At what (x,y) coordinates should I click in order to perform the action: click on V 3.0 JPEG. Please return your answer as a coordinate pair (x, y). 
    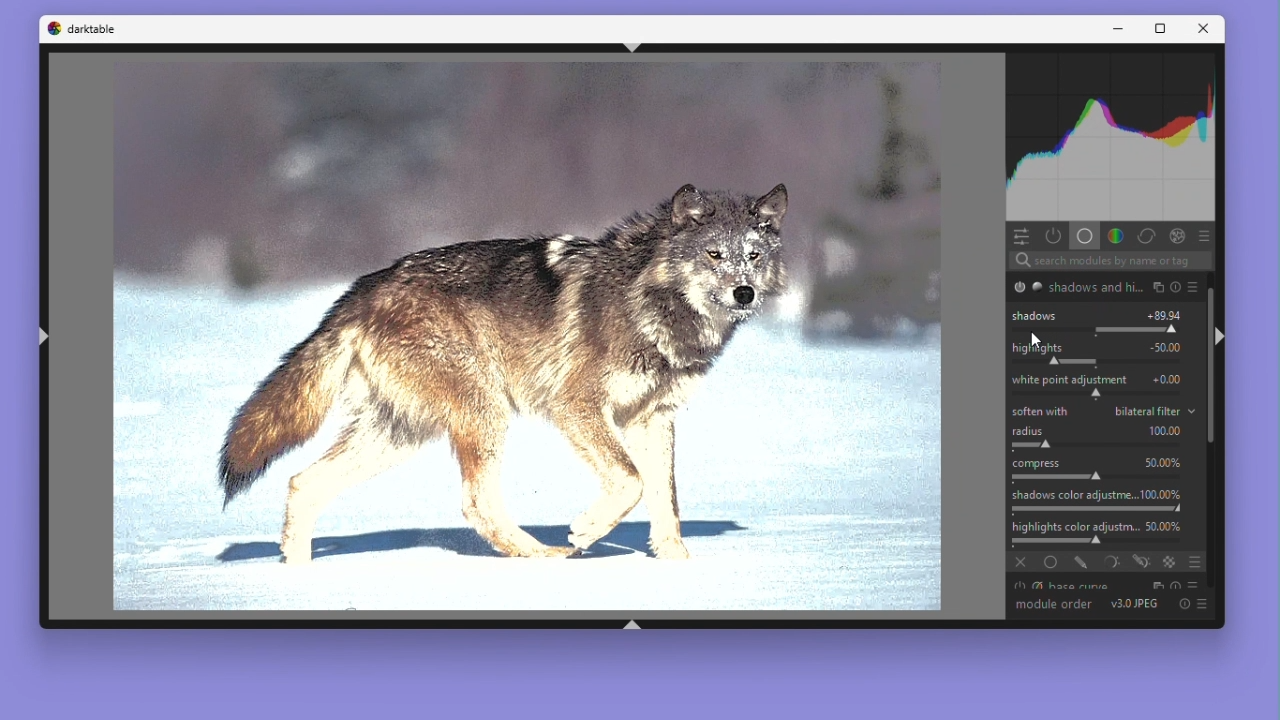
    Looking at the image, I should click on (1133, 603).